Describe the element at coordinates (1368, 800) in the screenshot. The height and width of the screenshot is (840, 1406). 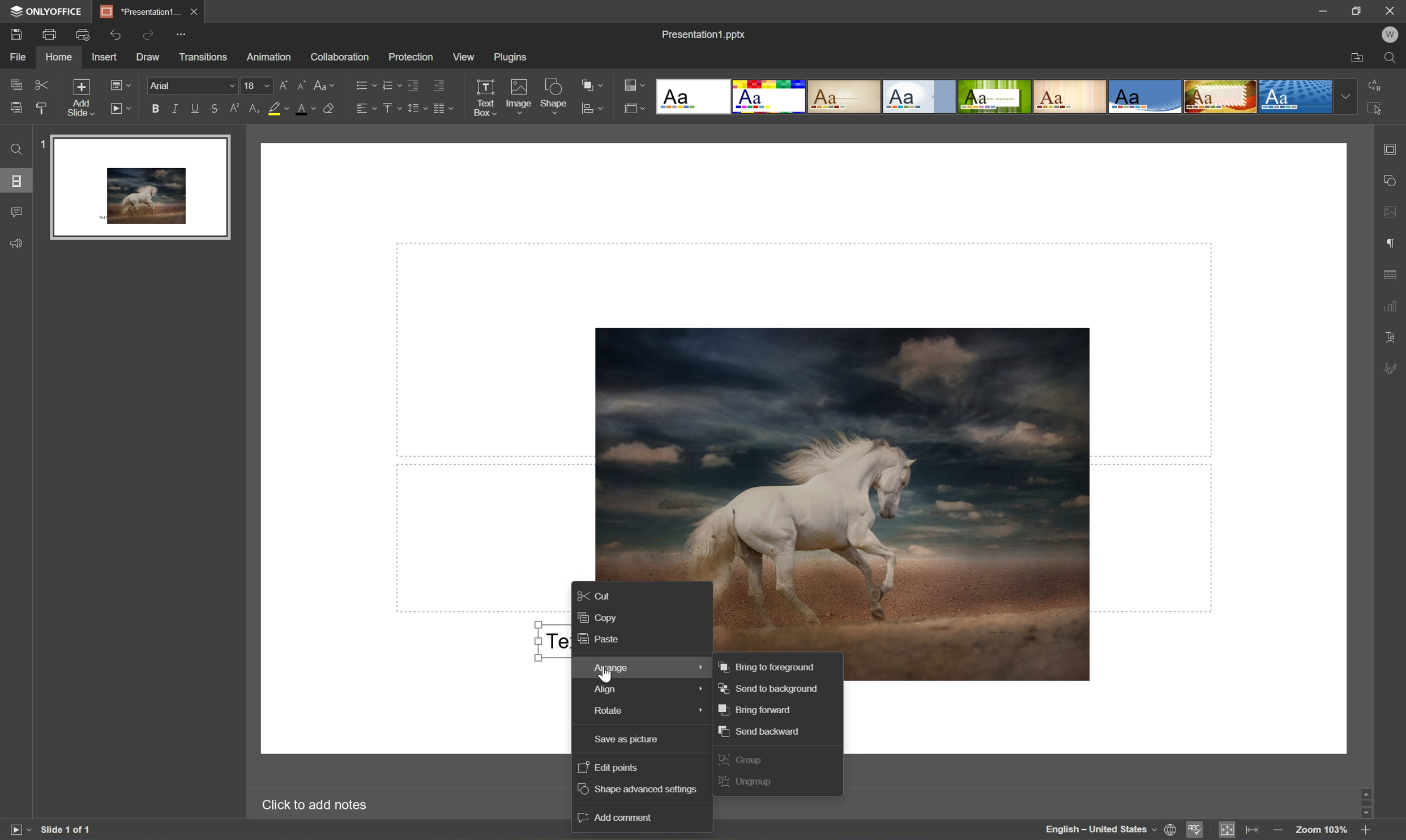
I see `Scroll Bar` at that location.